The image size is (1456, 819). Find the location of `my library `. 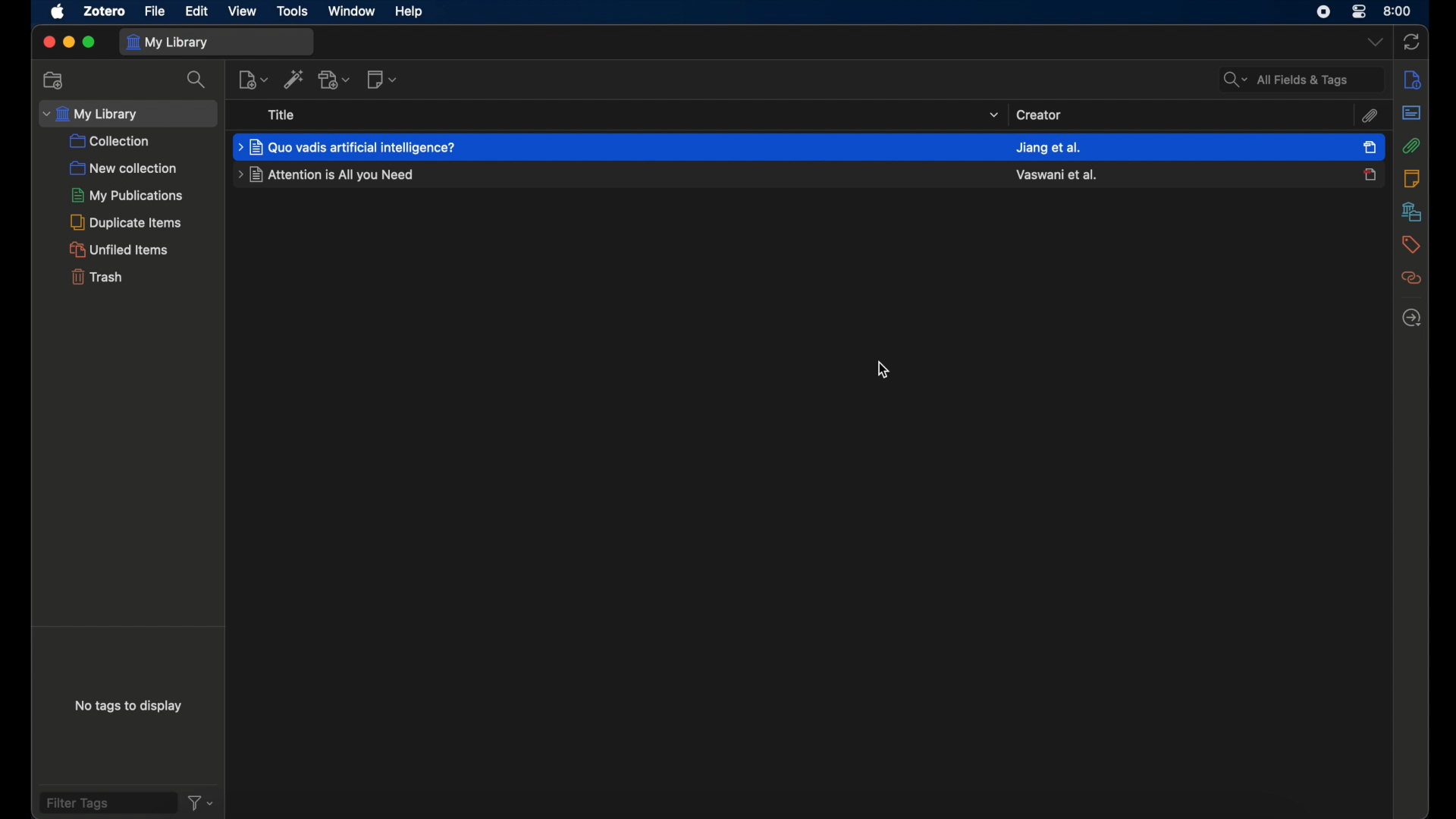

my library  is located at coordinates (218, 42).